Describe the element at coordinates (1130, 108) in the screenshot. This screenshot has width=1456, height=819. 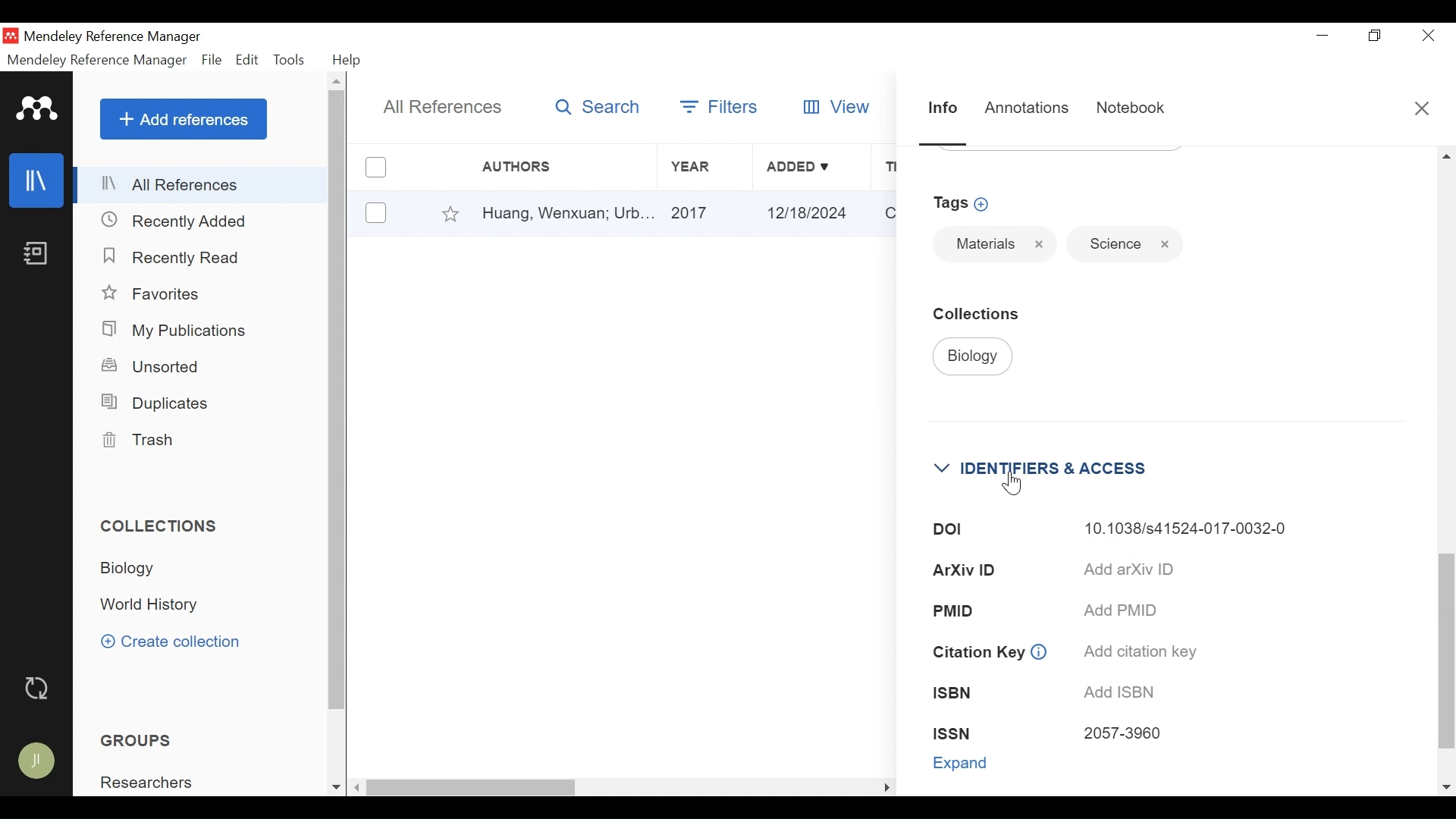
I see `Notebook` at that location.